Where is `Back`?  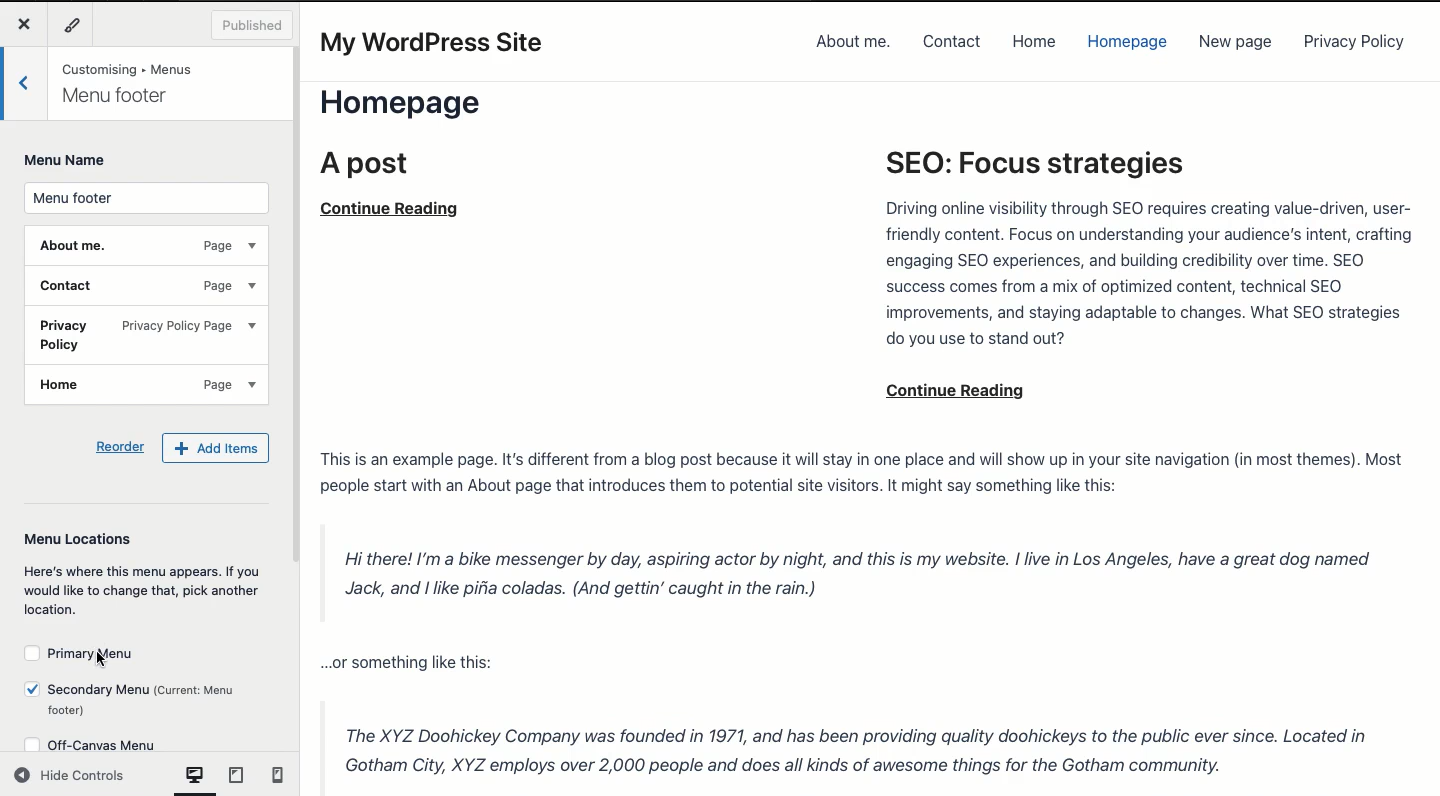 Back is located at coordinates (25, 80).